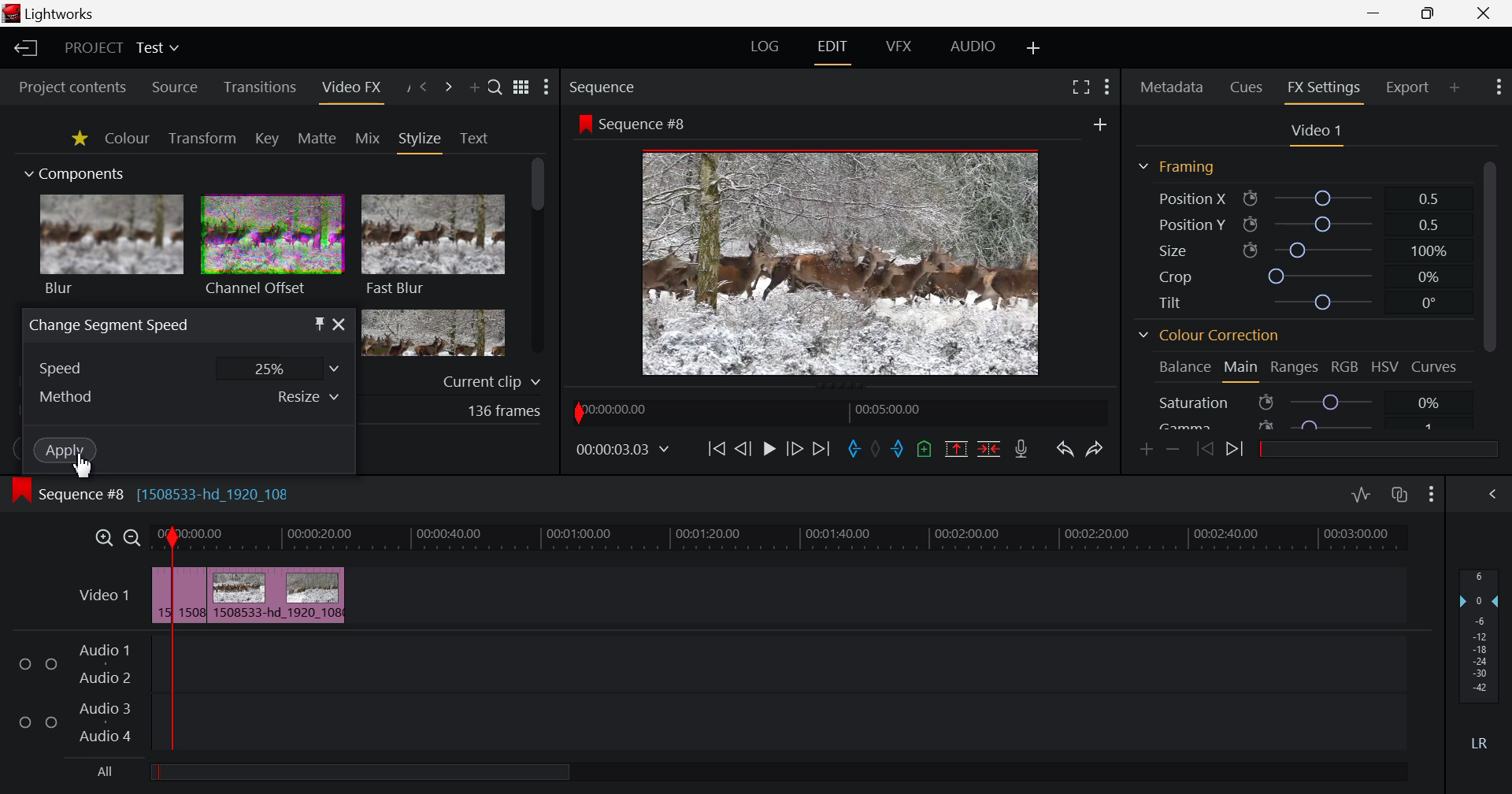  What do you see at coordinates (352, 769) in the screenshot?
I see `All` at bounding box center [352, 769].